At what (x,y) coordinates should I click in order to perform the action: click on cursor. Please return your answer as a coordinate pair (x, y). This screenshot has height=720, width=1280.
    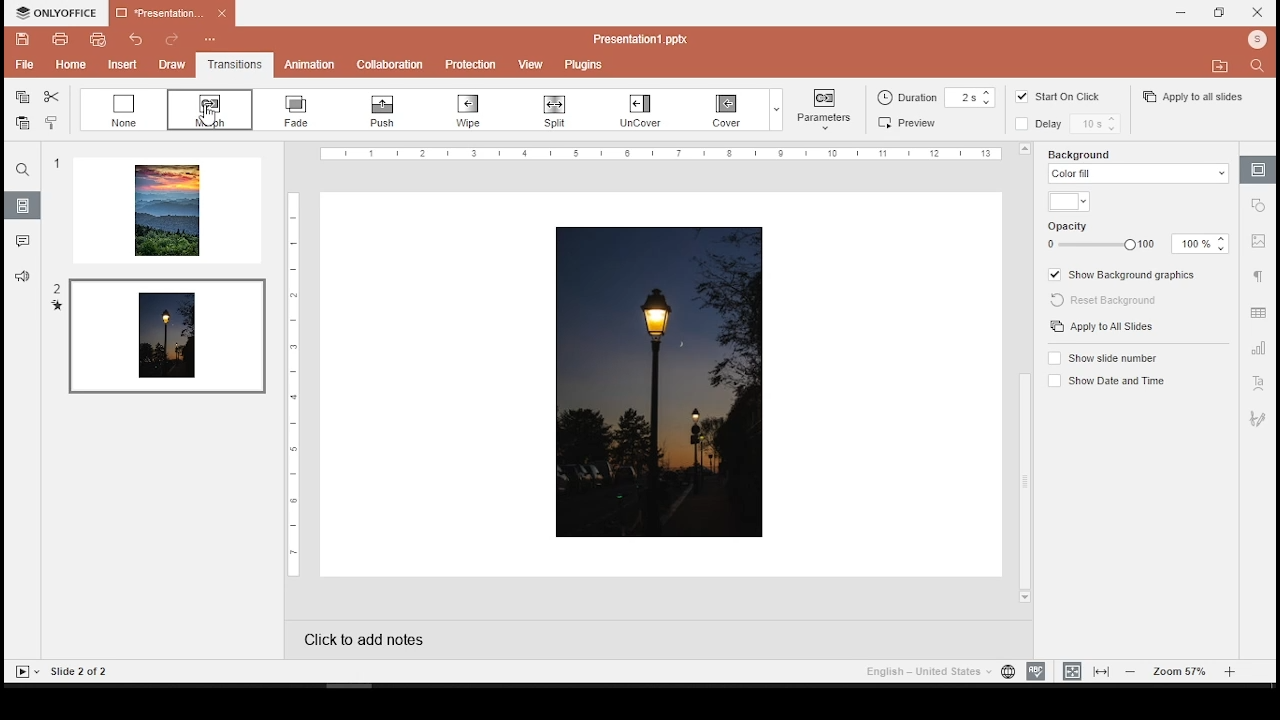
    Looking at the image, I should click on (208, 117).